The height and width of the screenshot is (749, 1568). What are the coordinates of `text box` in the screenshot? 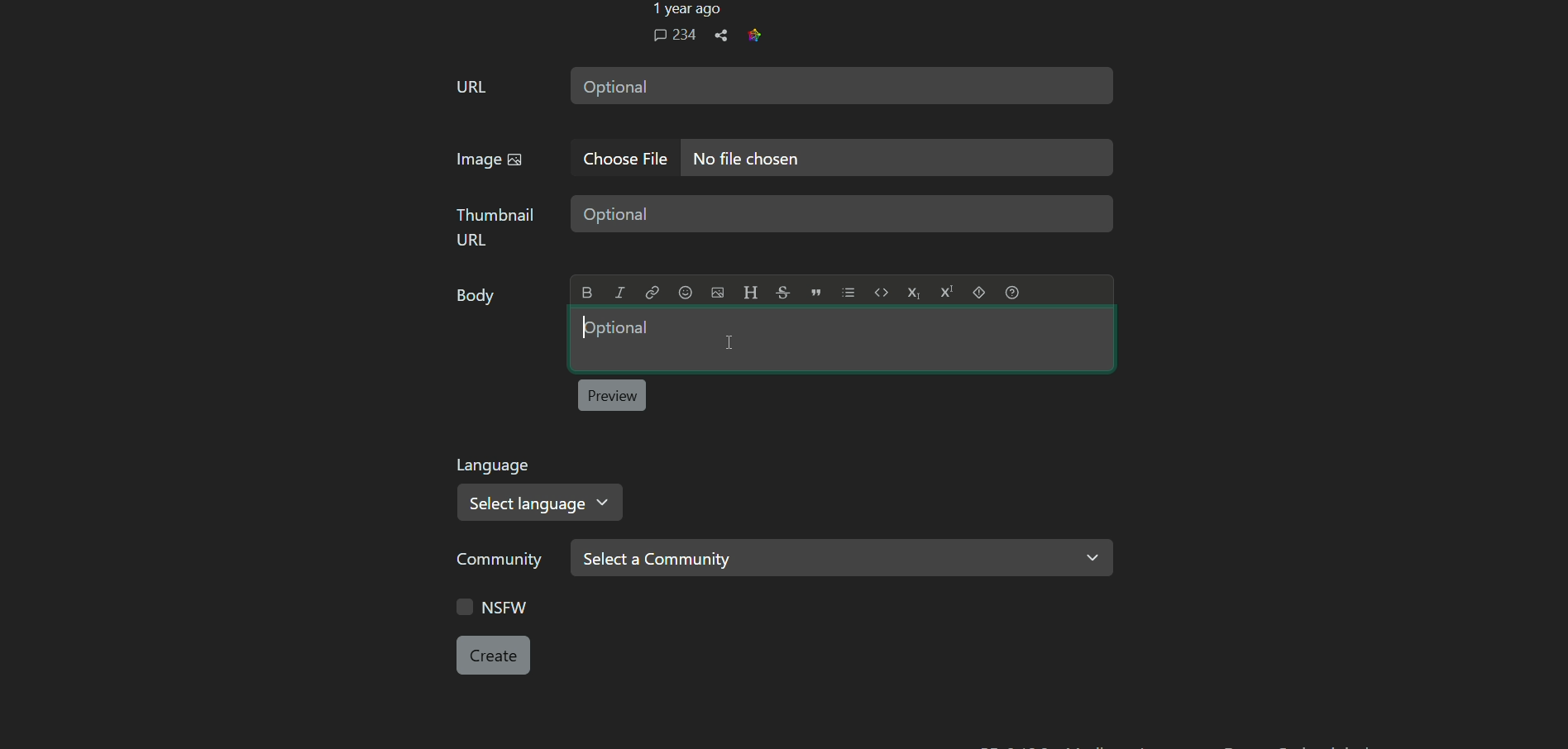 It's located at (841, 339).